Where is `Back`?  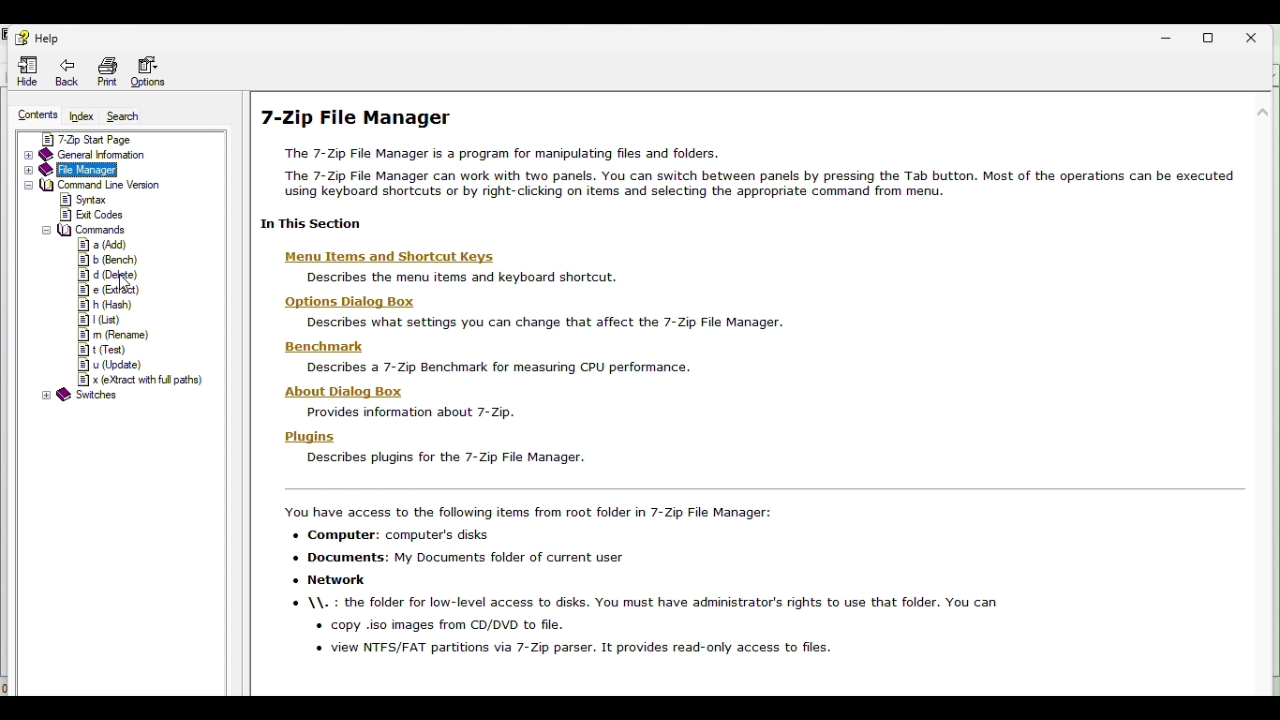
Back is located at coordinates (64, 70).